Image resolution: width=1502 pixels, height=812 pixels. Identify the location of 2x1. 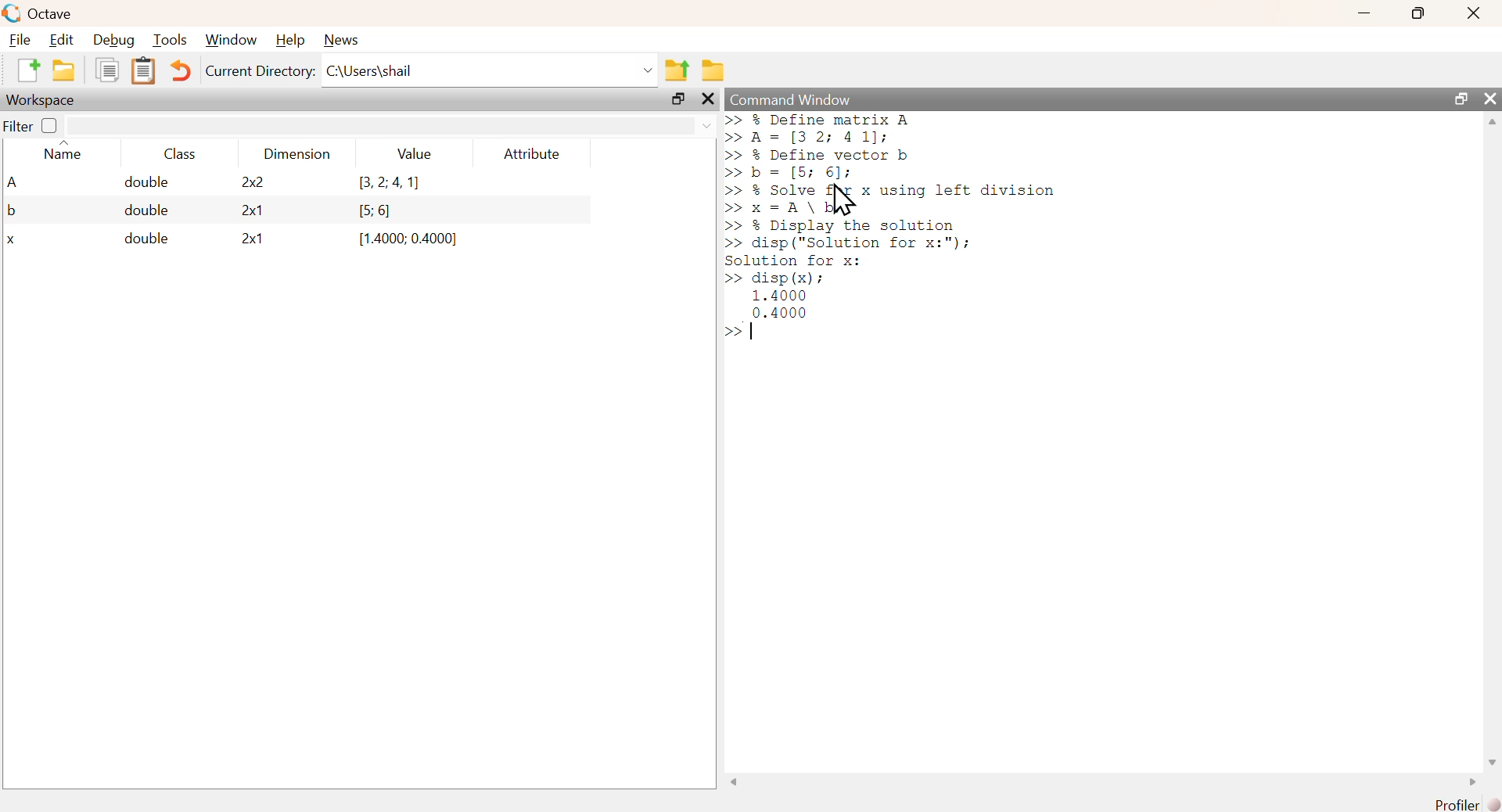
(243, 210).